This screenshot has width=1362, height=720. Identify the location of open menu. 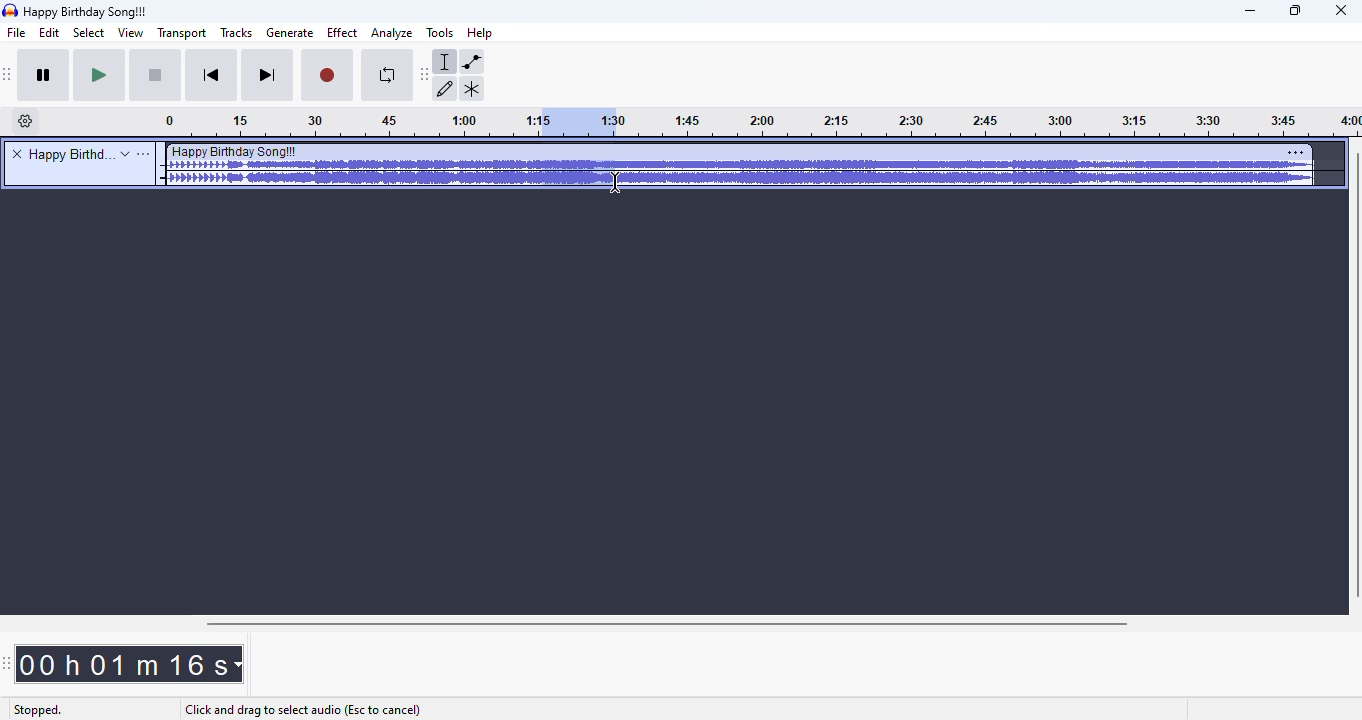
(144, 154).